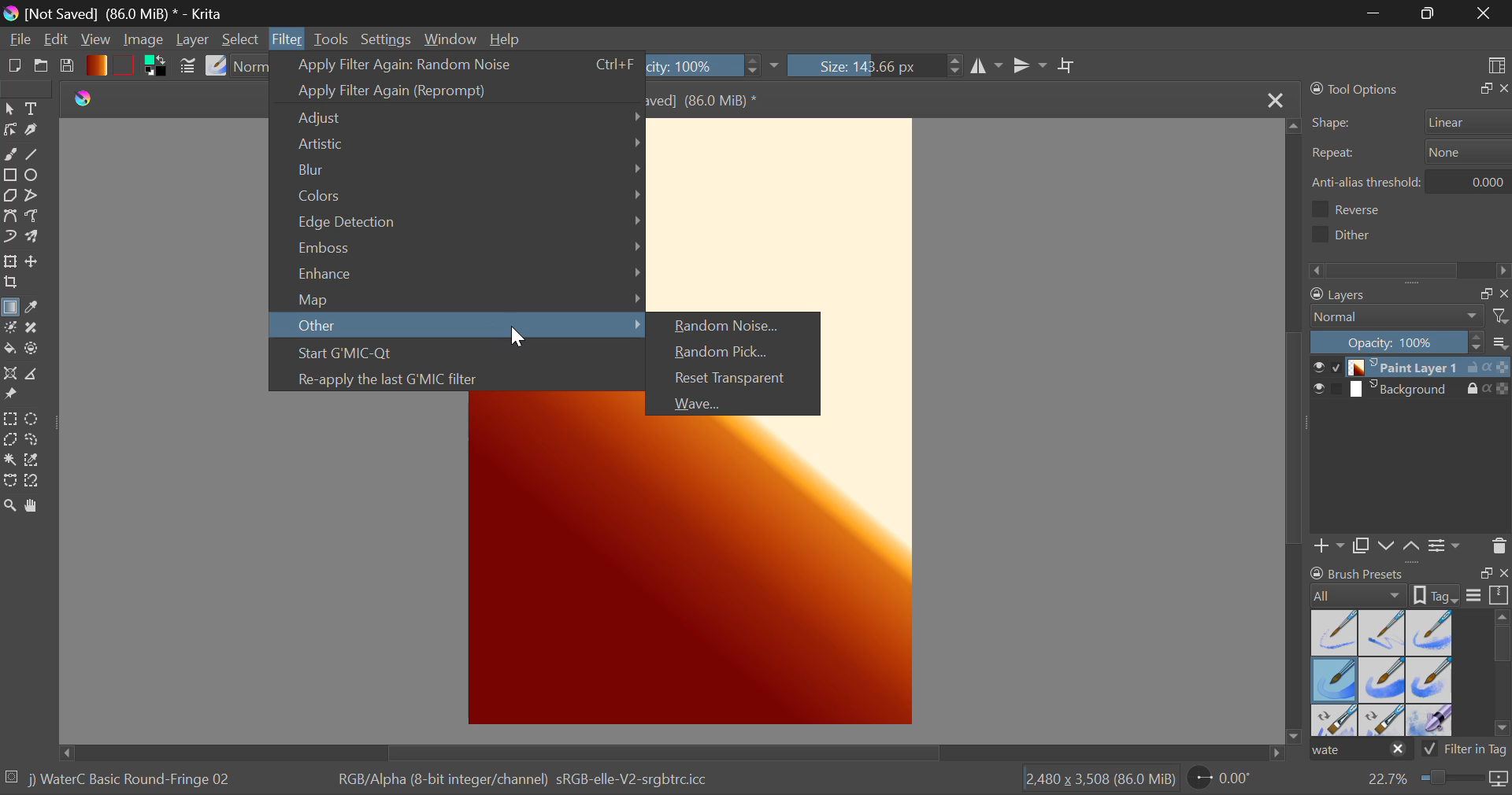 The height and width of the screenshot is (795, 1512). Describe the element at coordinates (1317, 390) in the screenshot. I see `preview` at that location.